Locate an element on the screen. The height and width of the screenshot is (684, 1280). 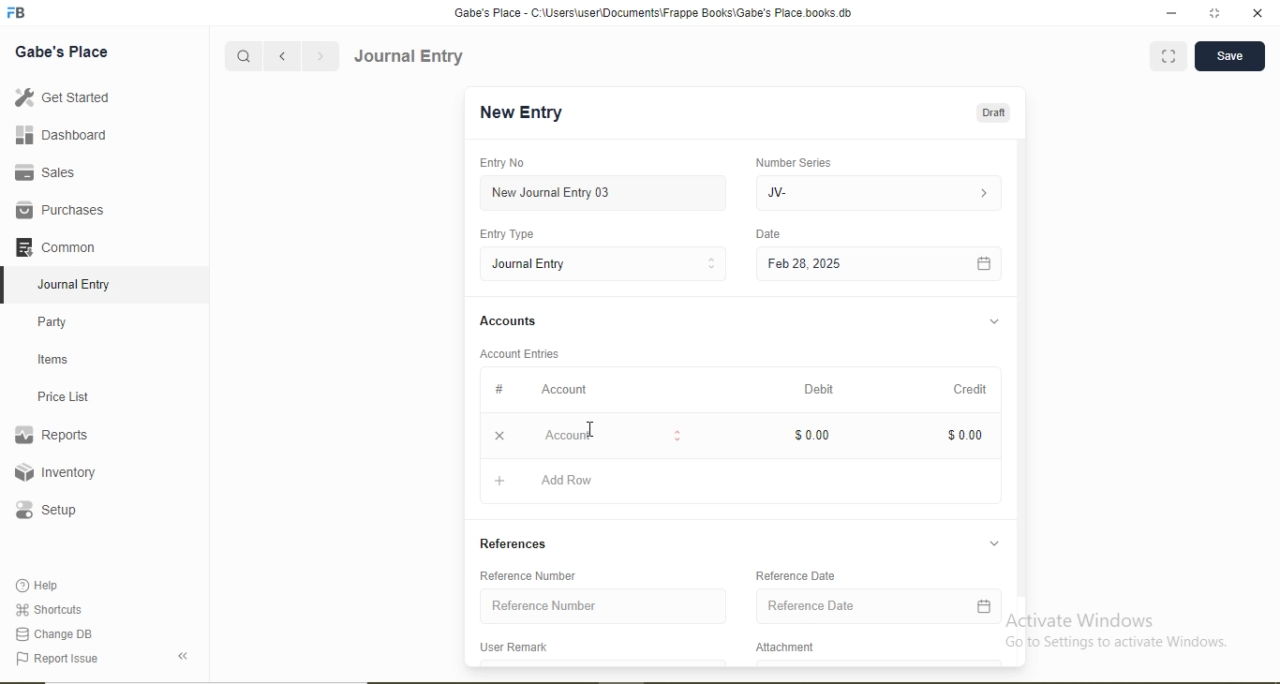
Draft is located at coordinates (993, 114).